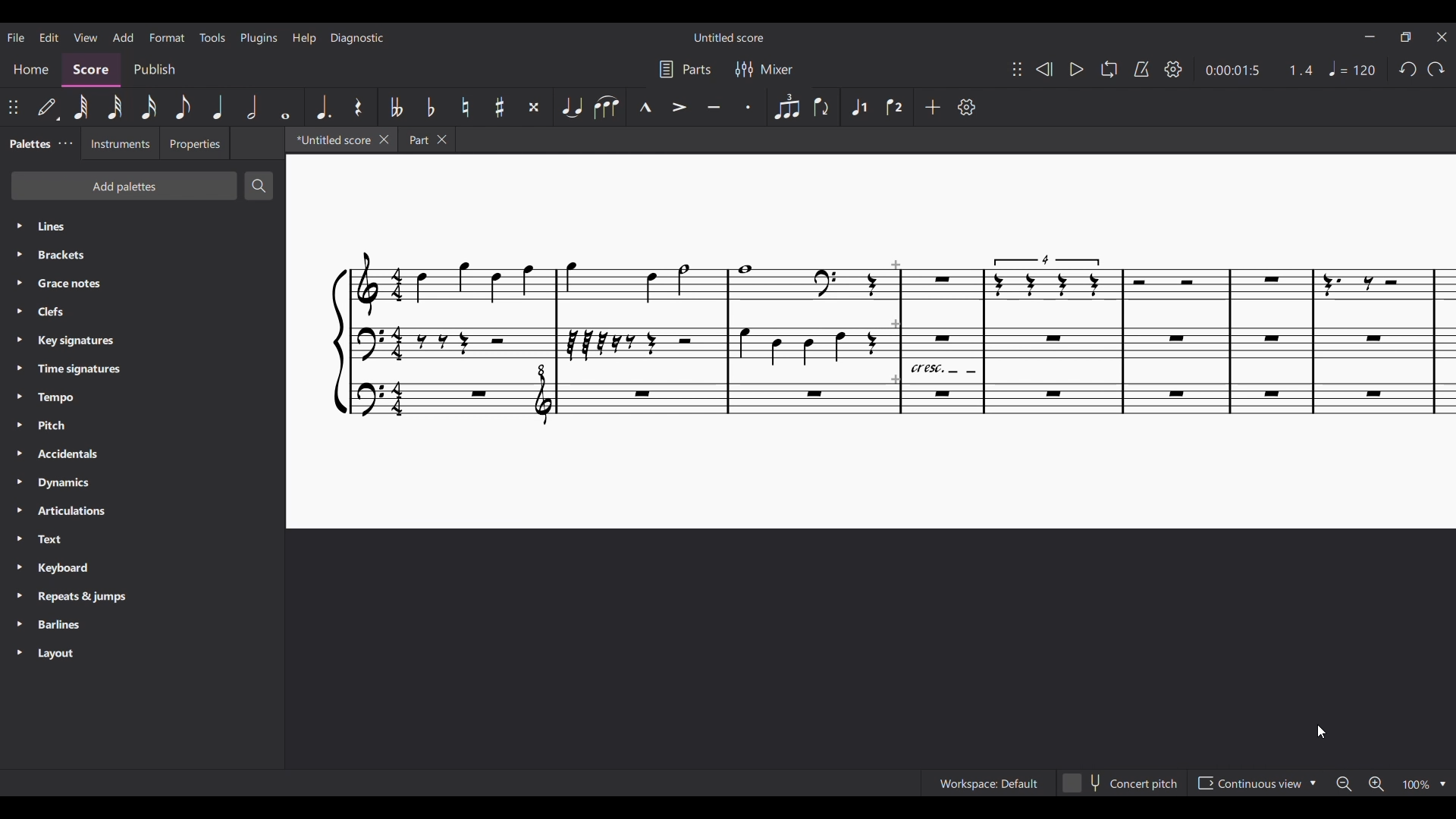  Describe the element at coordinates (80, 106) in the screenshot. I see `64th note` at that location.